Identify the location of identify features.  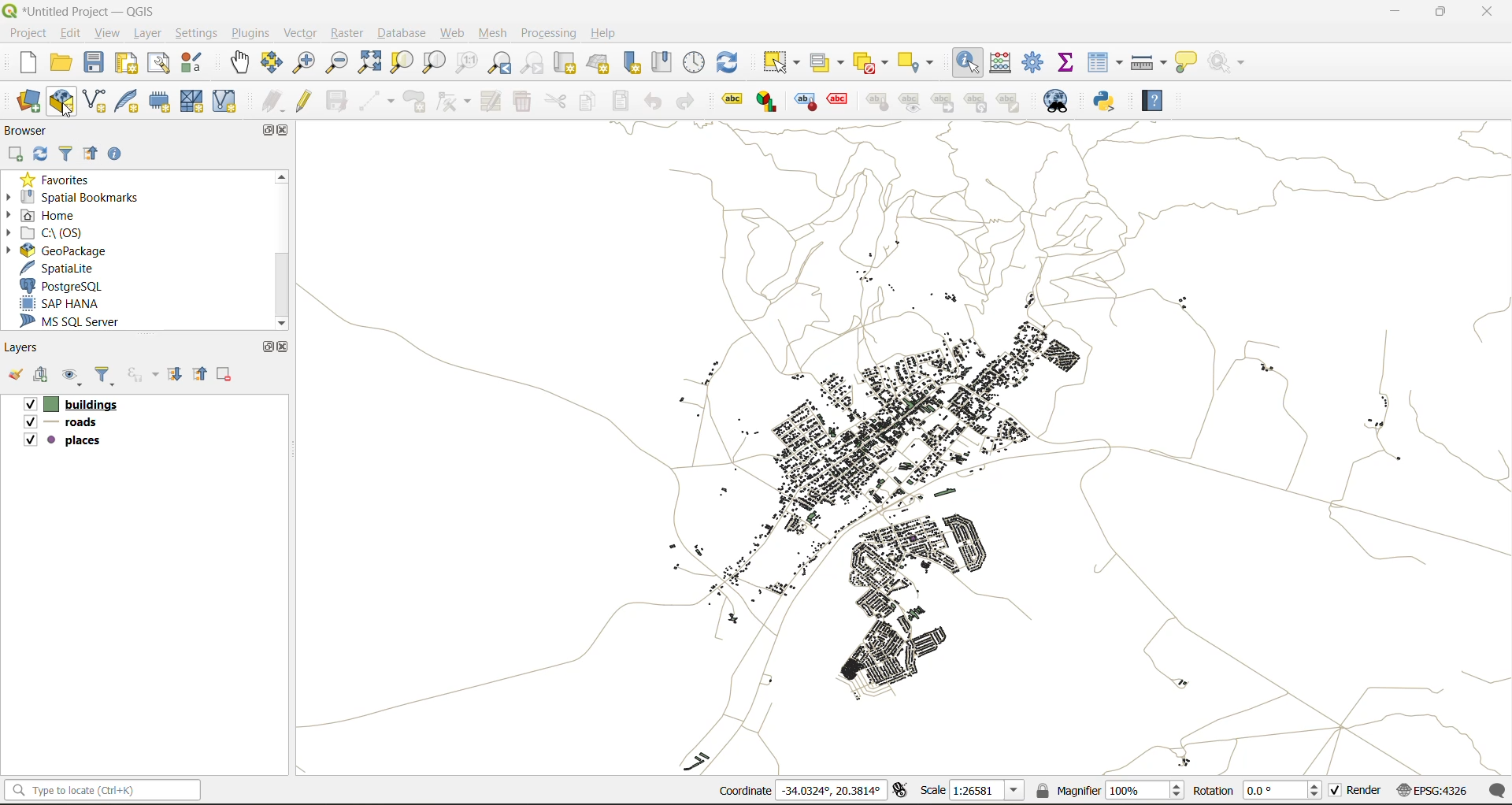
(968, 59).